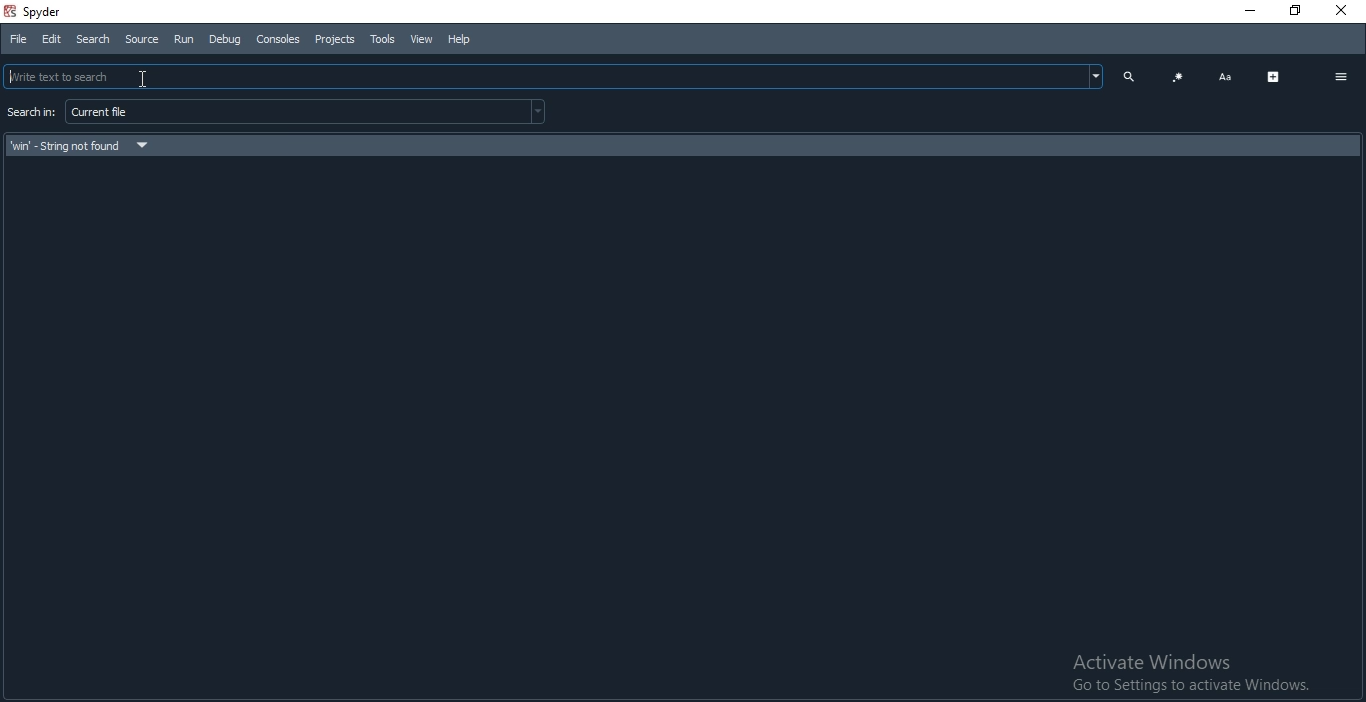  I want to click on Run, so click(182, 38).